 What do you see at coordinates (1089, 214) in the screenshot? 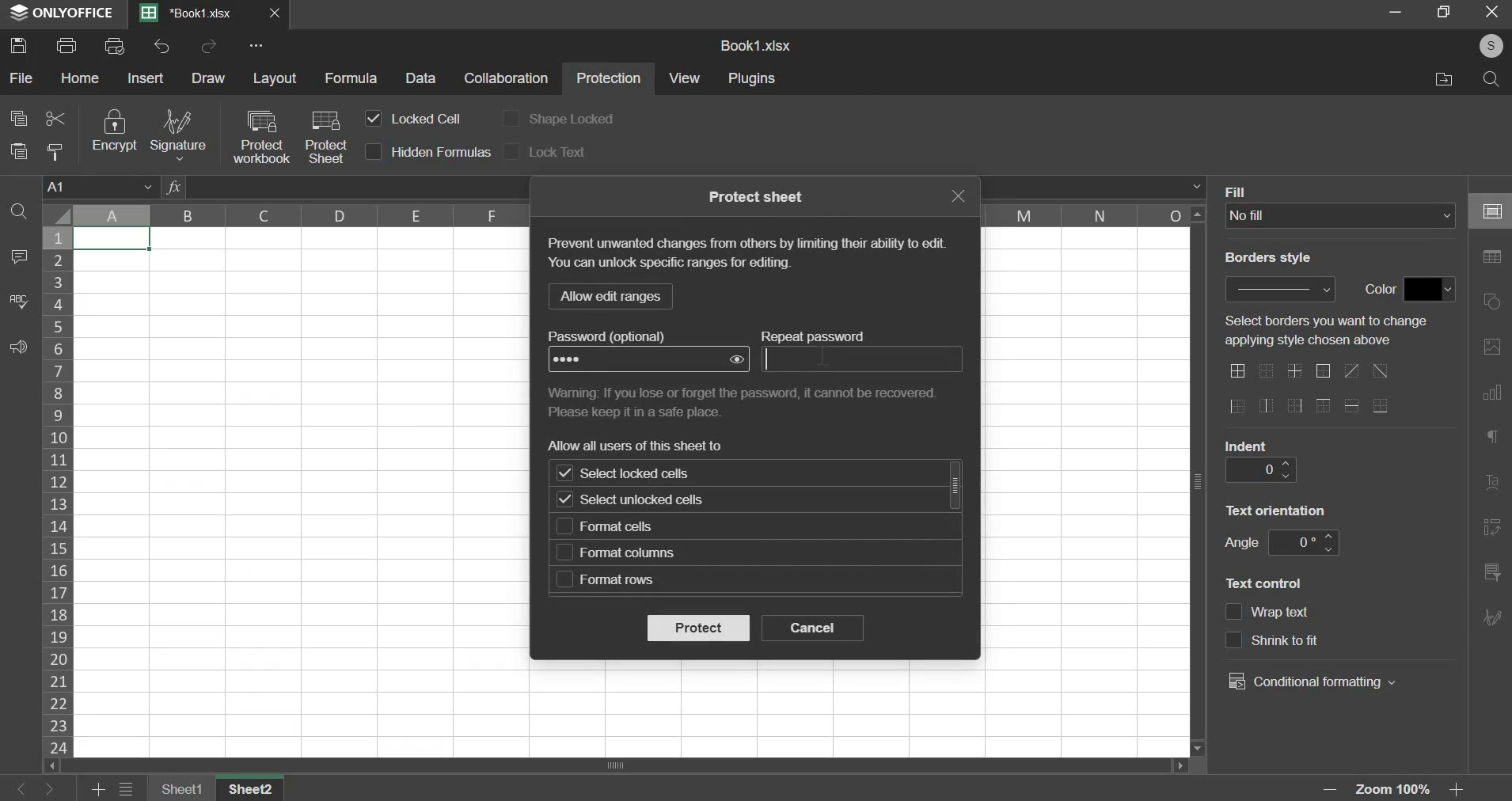
I see `column` at bounding box center [1089, 214].